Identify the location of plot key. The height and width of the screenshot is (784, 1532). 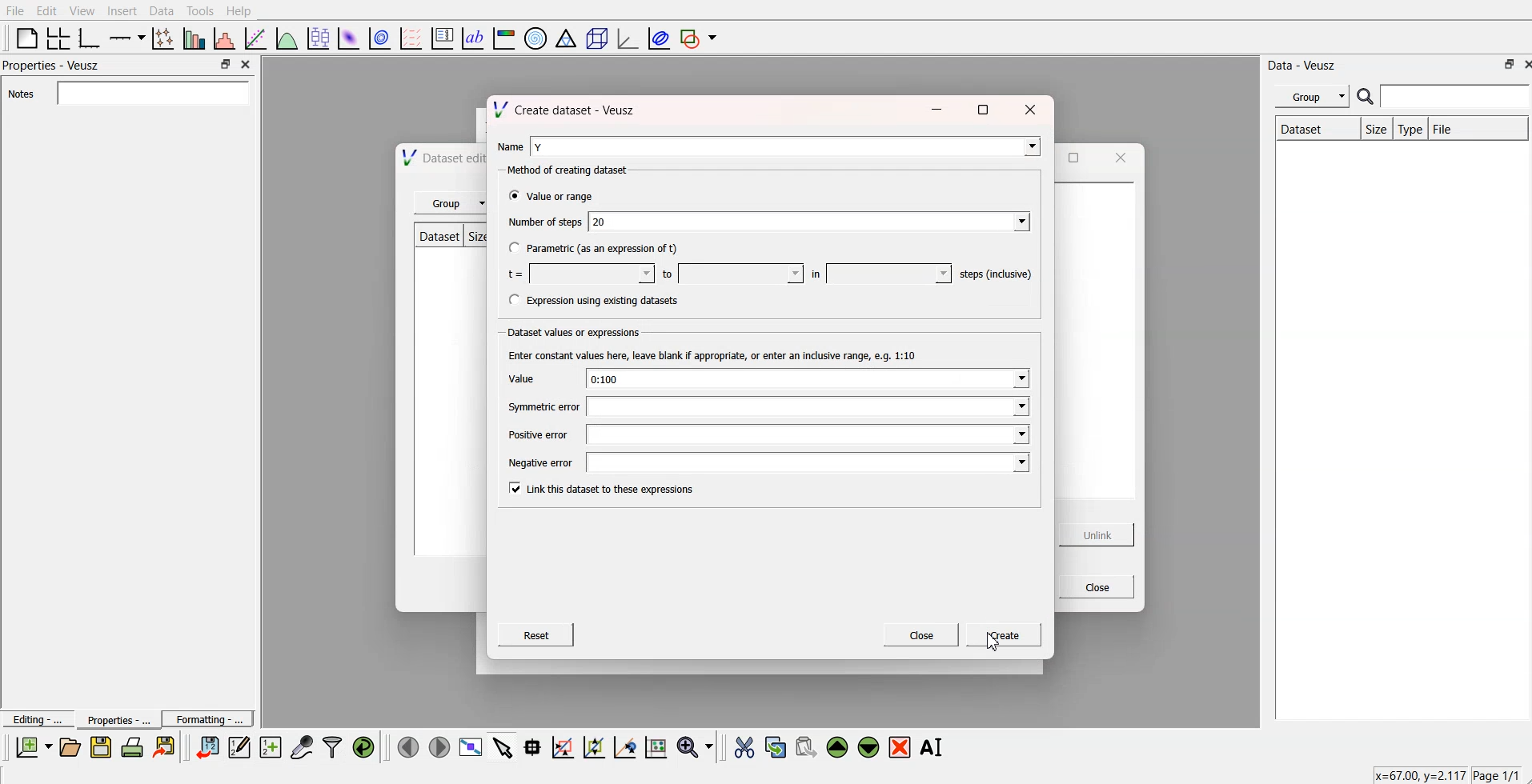
(443, 37).